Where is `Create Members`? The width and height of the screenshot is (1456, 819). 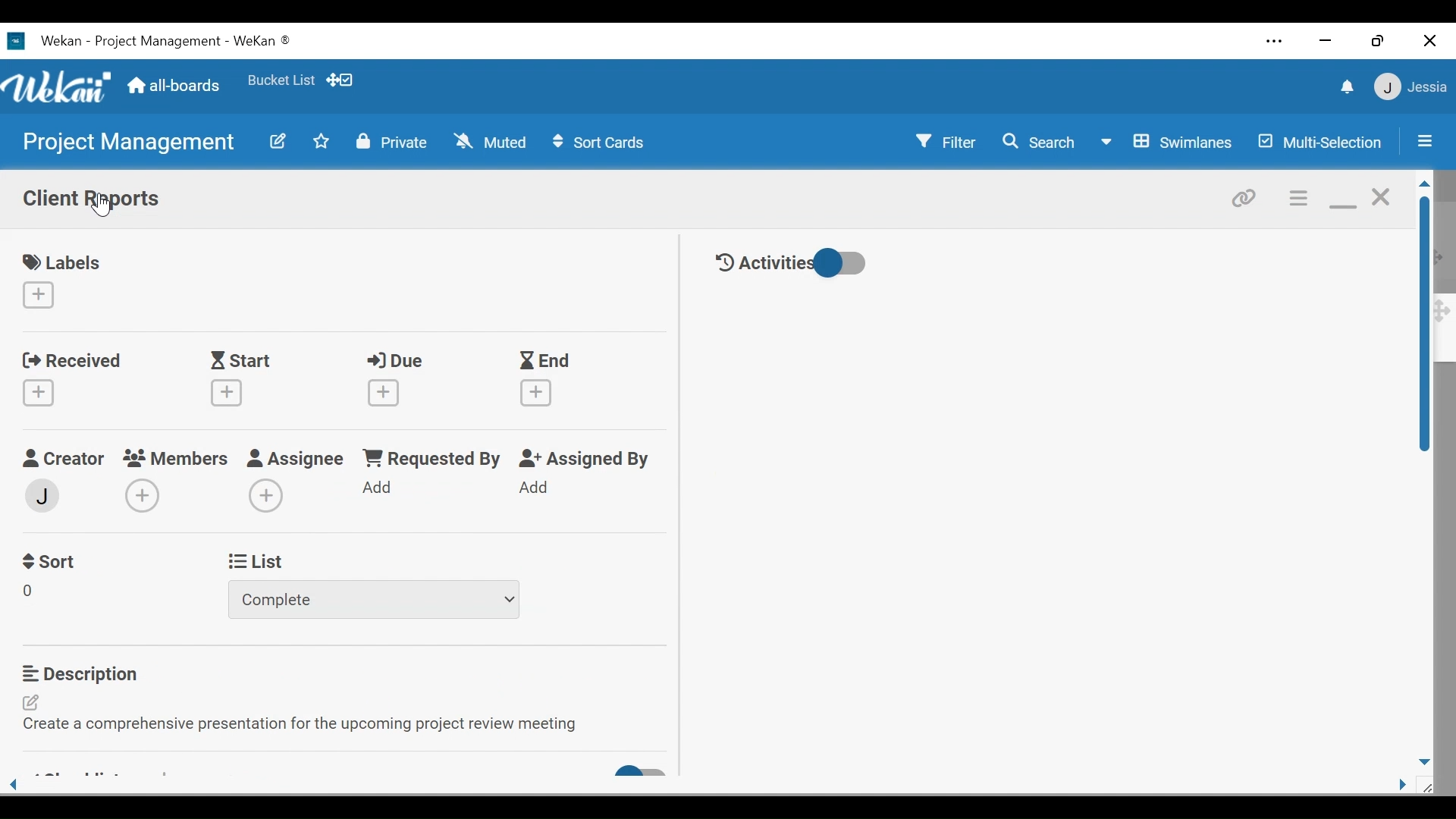
Create Members is located at coordinates (140, 497).